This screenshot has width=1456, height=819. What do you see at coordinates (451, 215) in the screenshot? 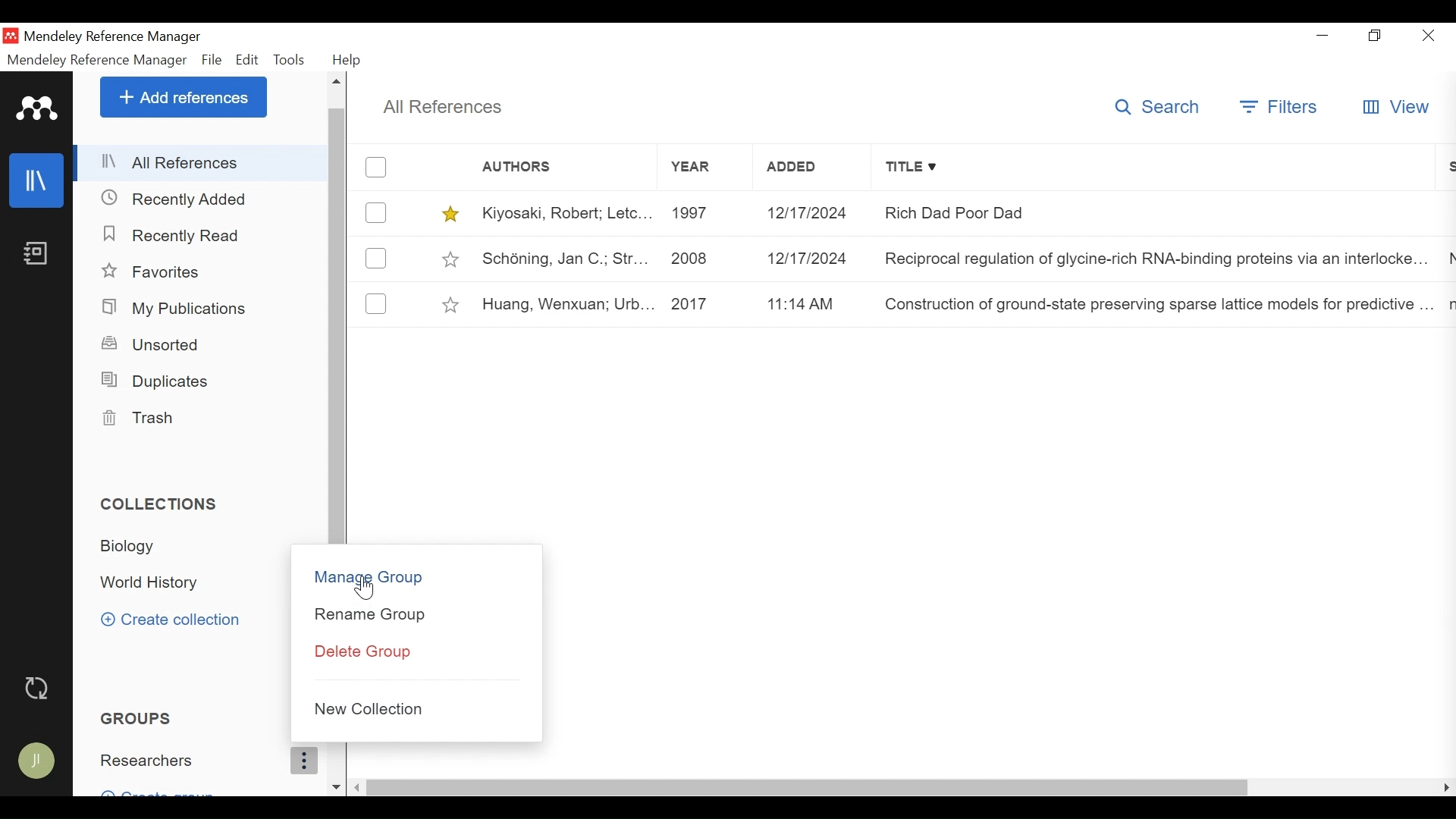
I see `toggle Favorites` at bounding box center [451, 215].